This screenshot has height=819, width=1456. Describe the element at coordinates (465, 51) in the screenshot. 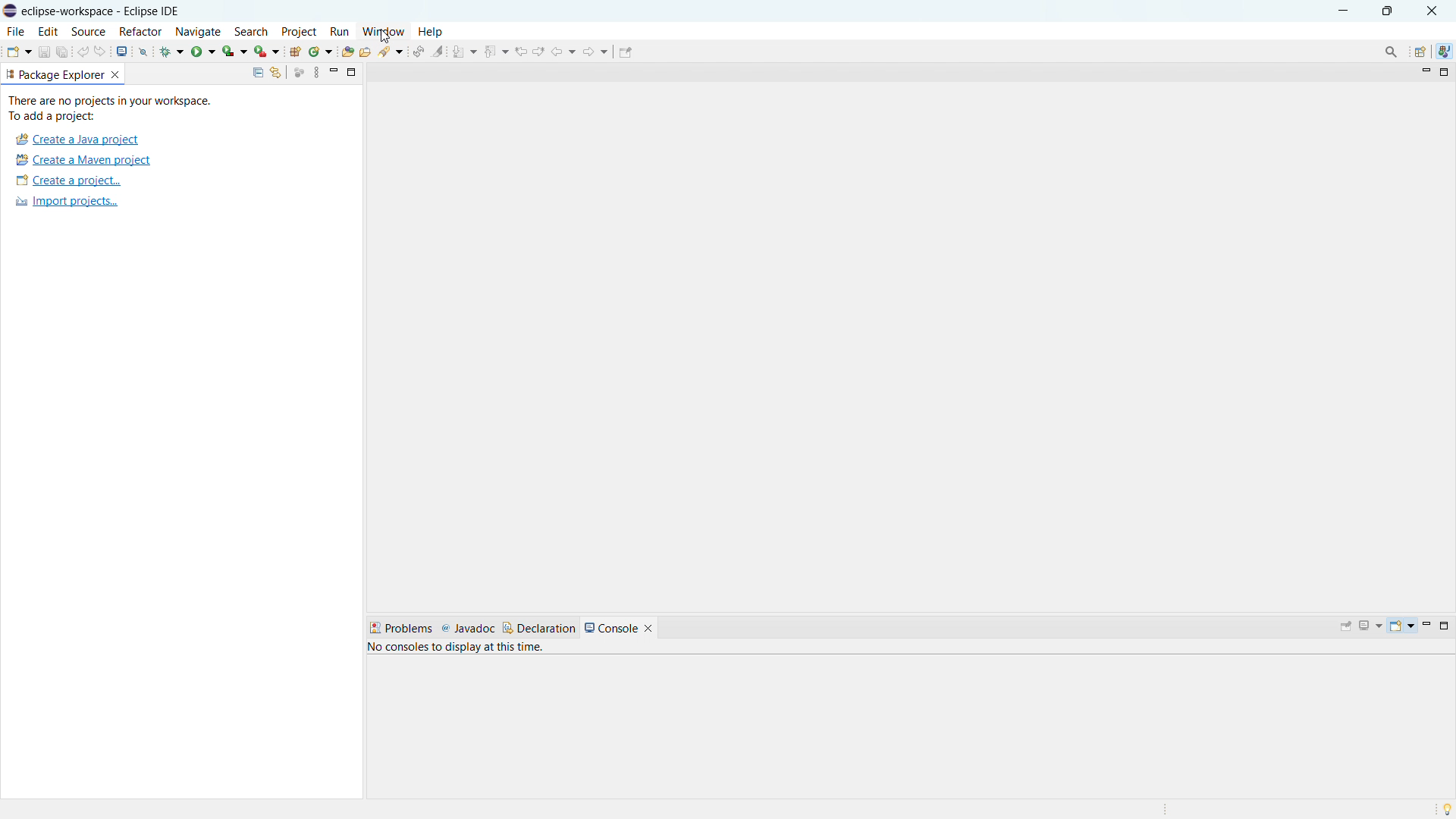

I see `next annotation` at that location.